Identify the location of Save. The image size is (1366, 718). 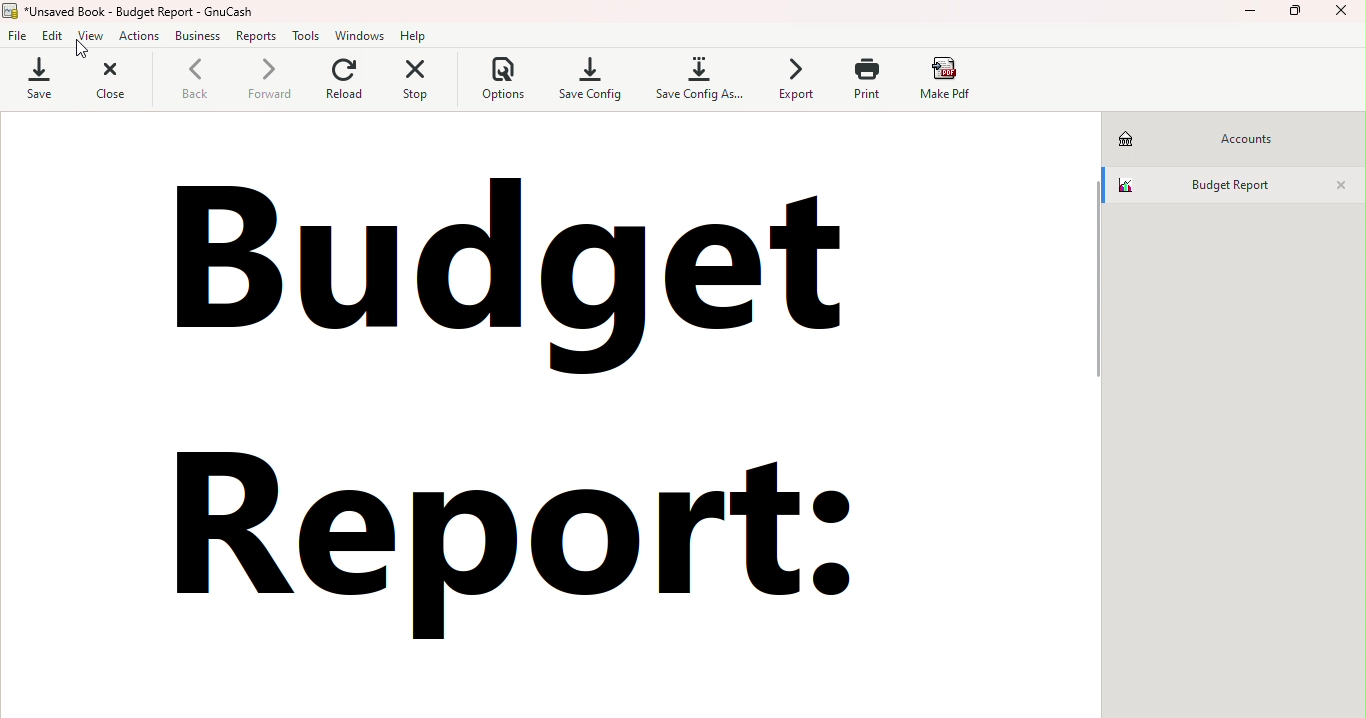
(36, 79).